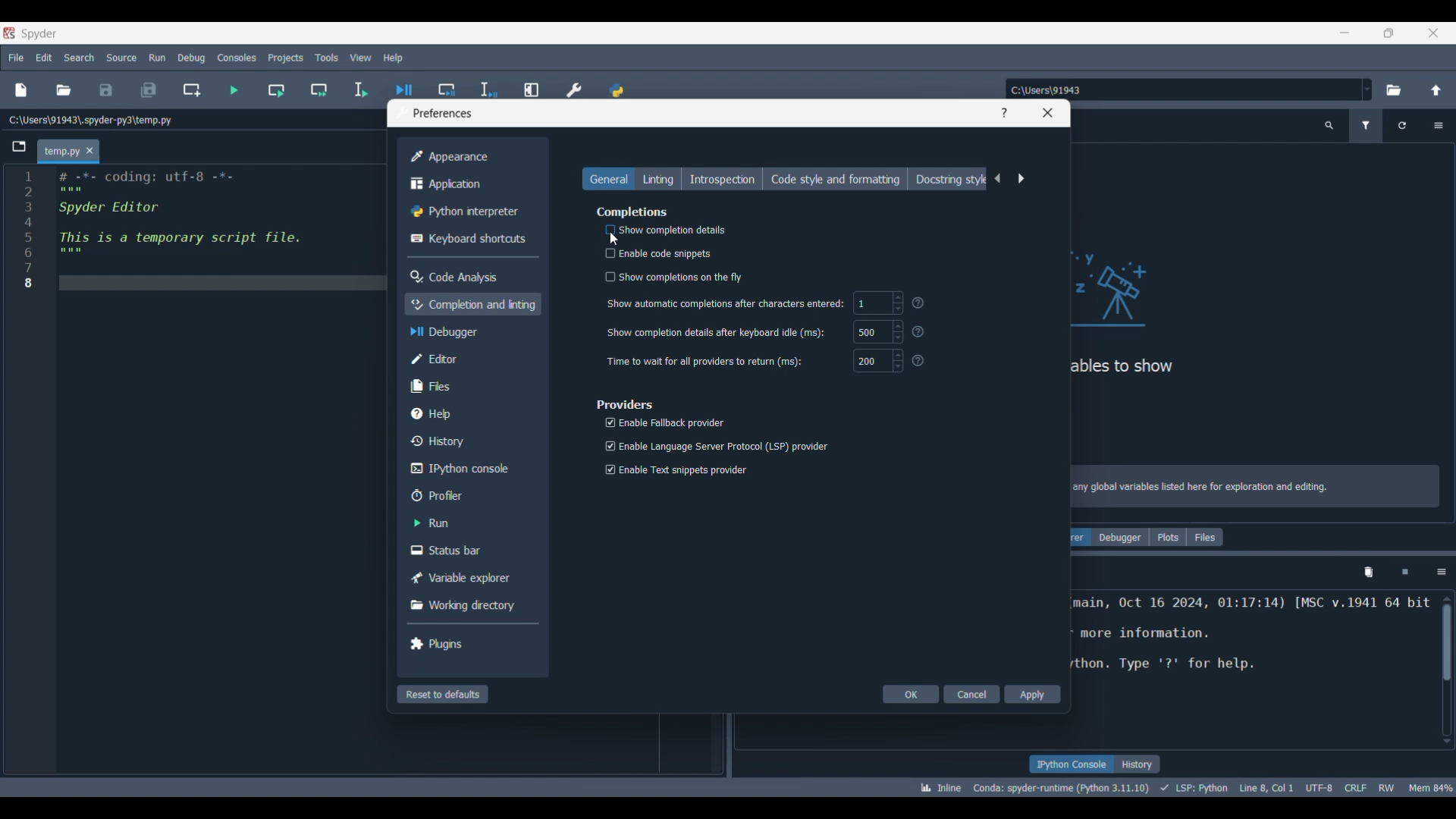  I want to click on Debugger, so click(1120, 537).